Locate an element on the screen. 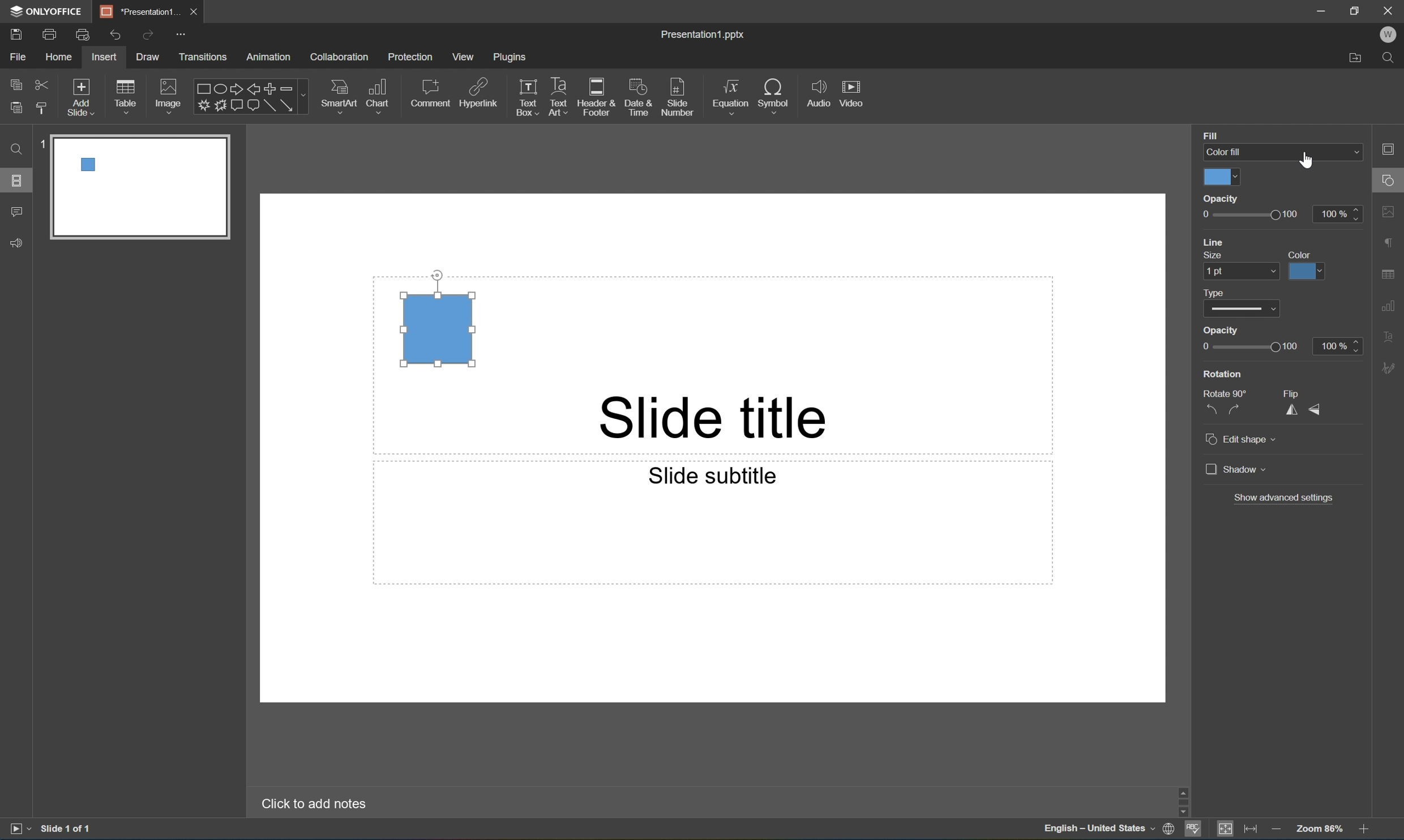 The image size is (1404, 840). Save is located at coordinates (15, 33).